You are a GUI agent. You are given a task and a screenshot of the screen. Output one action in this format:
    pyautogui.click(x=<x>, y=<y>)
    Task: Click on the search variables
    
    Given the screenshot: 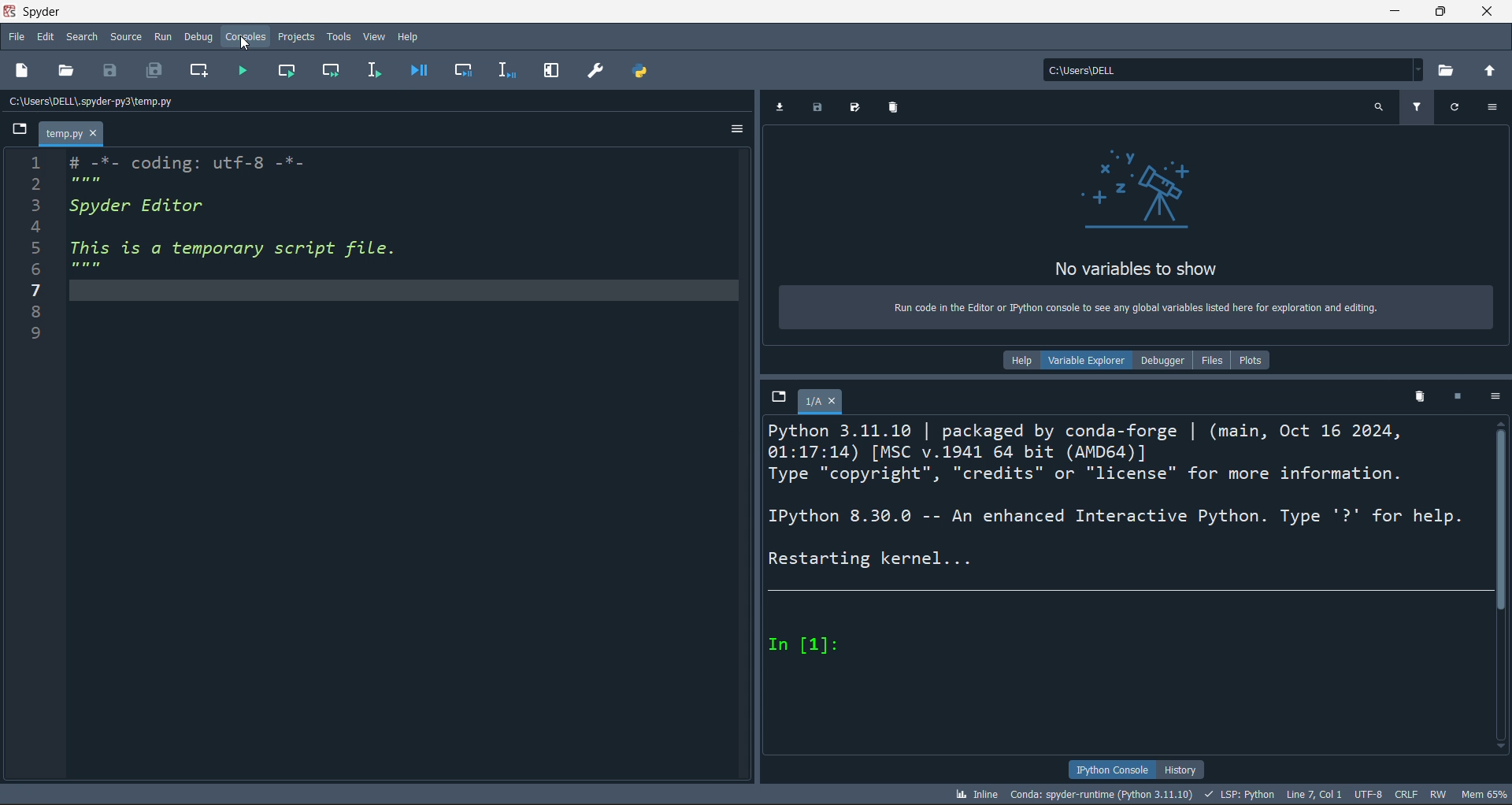 What is the action you would take?
    pyautogui.click(x=1380, y=109)
    